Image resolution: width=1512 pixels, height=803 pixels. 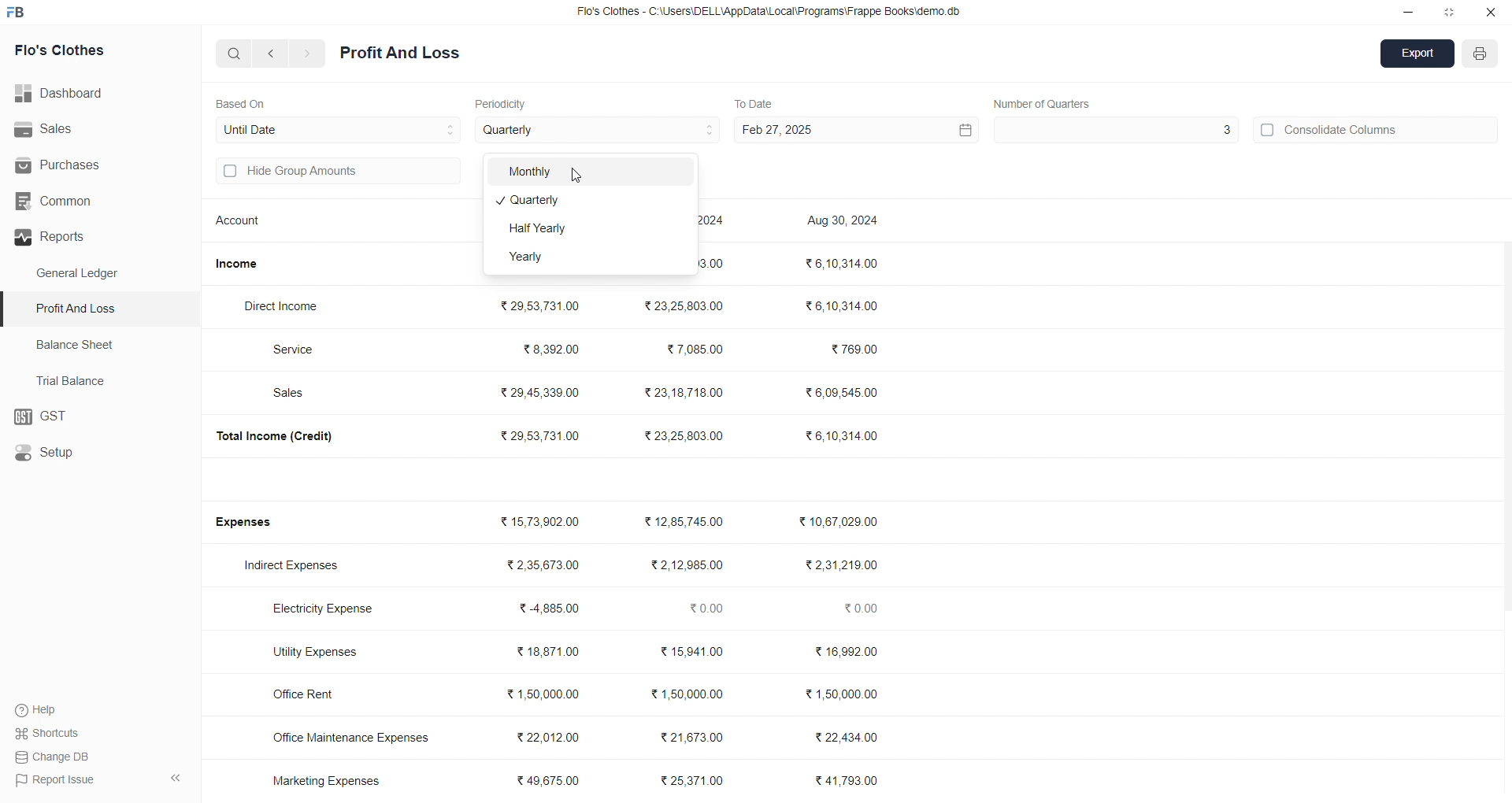 What do you see at coordinates (400, 54) in the screenshot?
I see `Profit And Loss` at bounding box center [400, 54].